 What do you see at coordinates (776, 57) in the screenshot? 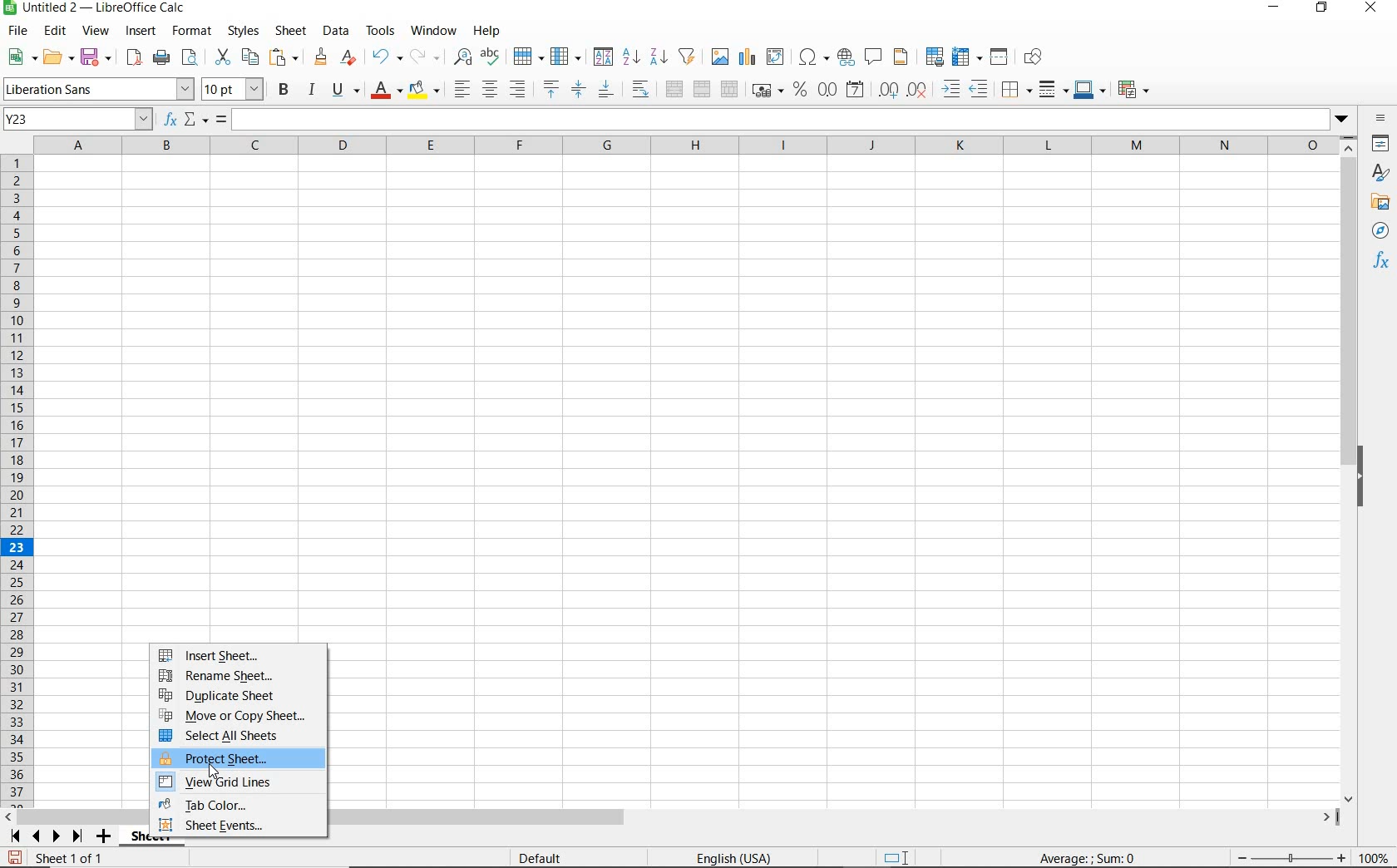
I see `INSERT OR EDIT PIVOT TABLE` at bounding box center [776, 57].